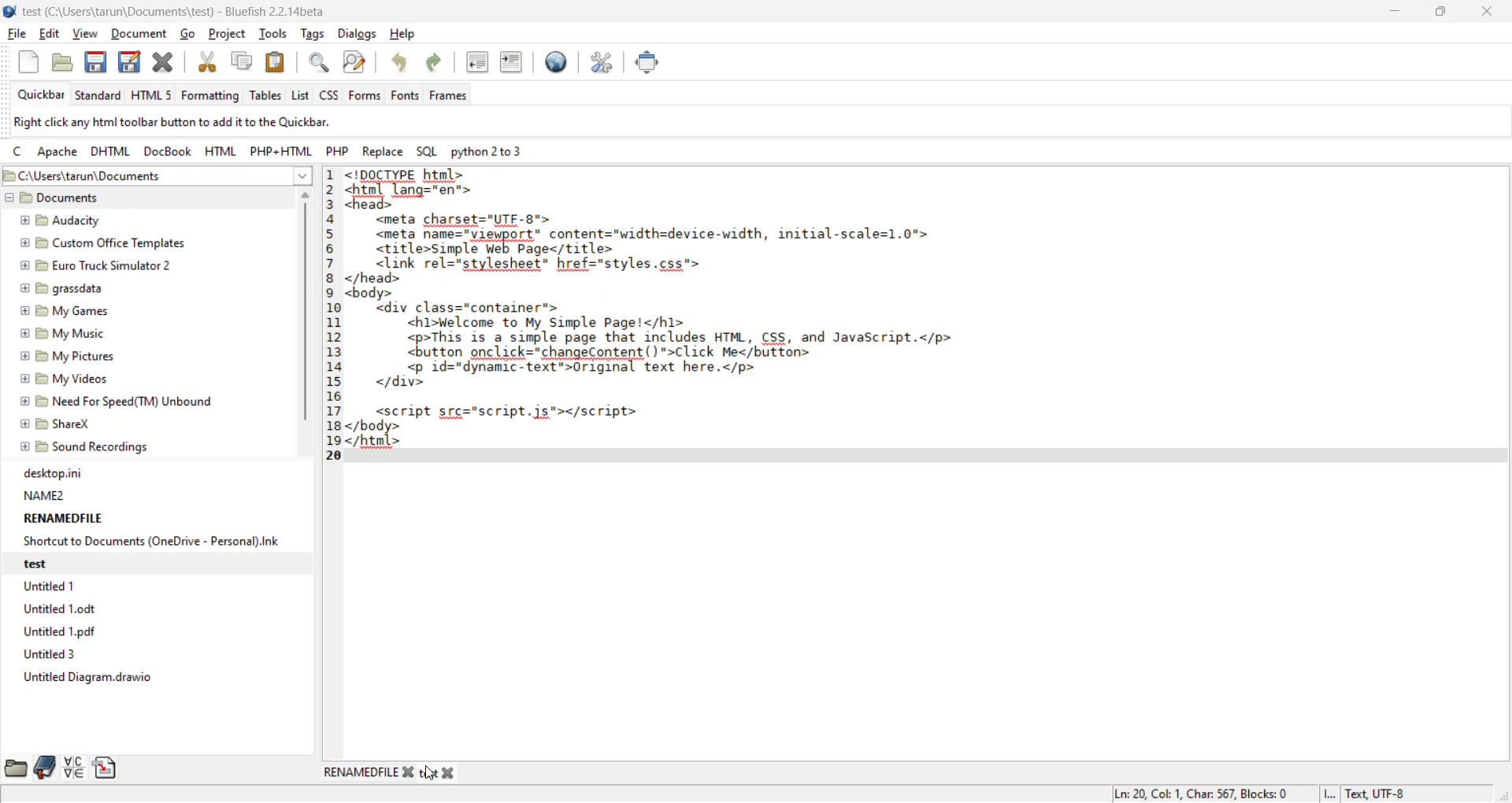  What do you see at coordinates (424, 151) in the screenshot?
I see `sql` at bounding box center [424, 151].